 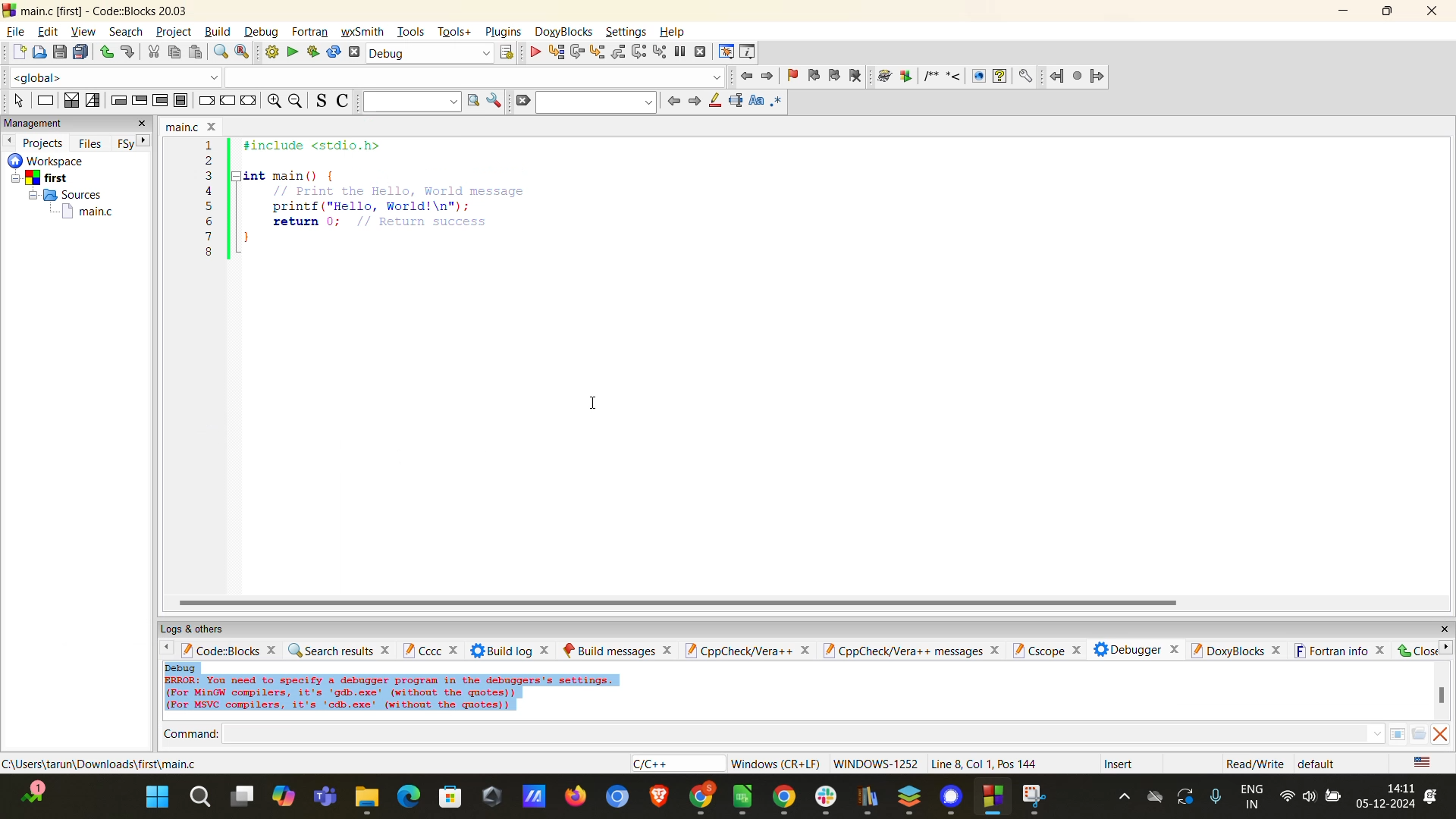 I want to click on file, so click(x=15, y=33).